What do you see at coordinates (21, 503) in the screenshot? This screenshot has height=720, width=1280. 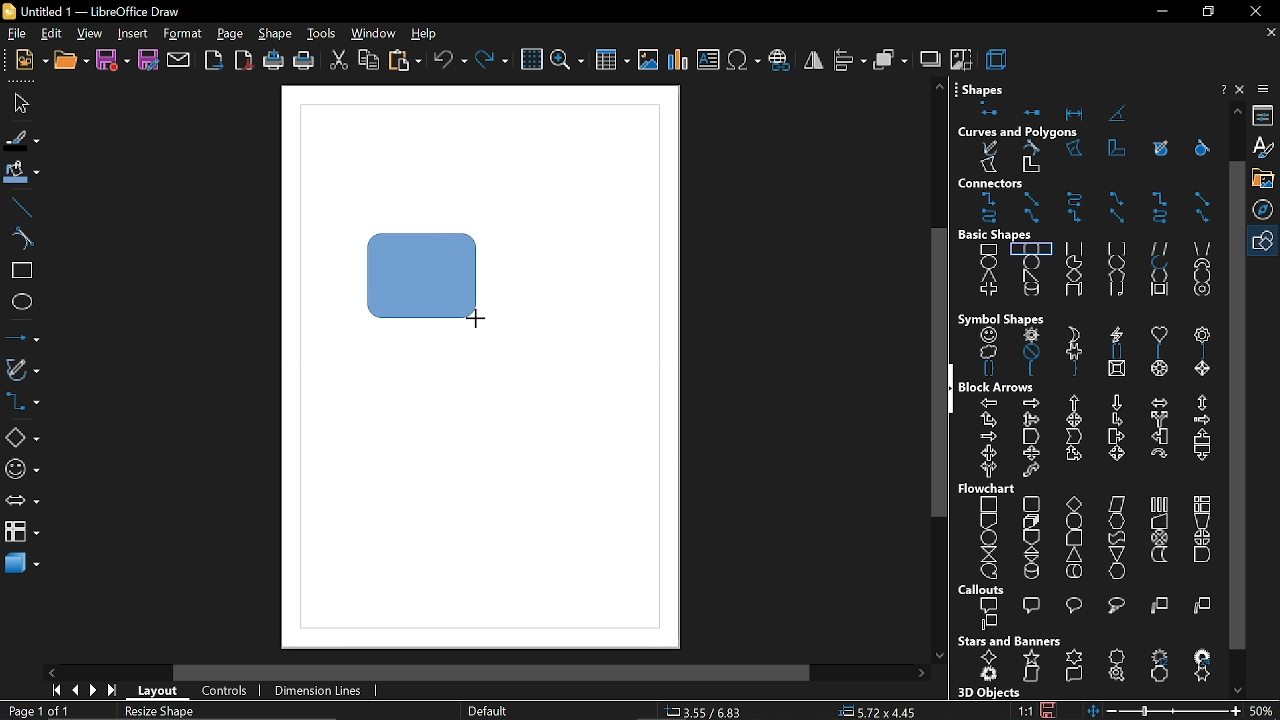 I see `arrows` at bounding box center [21, 503].